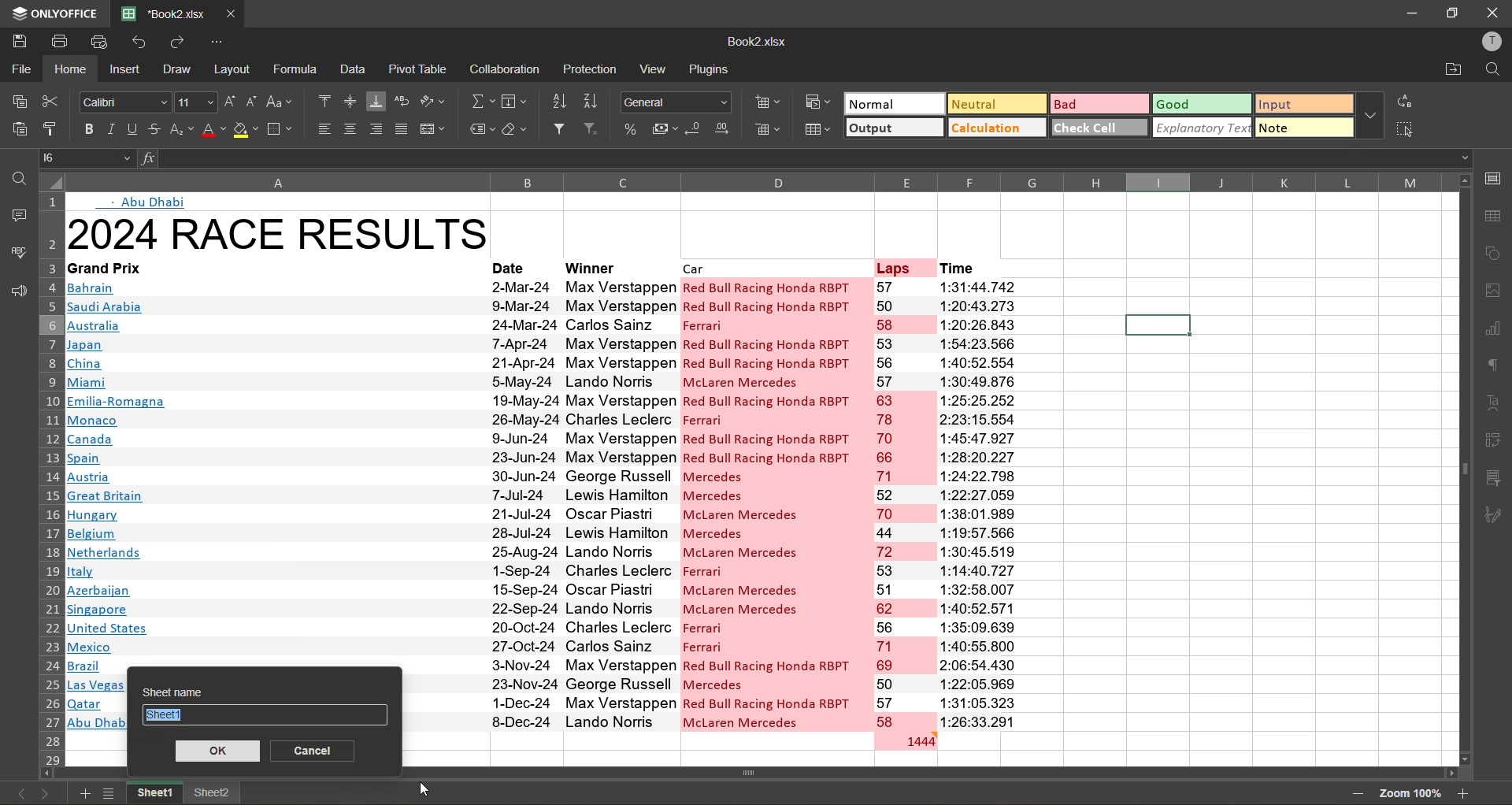 This screenshot has height=805, width=1512. What do you see at coordinates (235, 69) in the screenshot?
I see `layout` at bounding box center [235, 69].